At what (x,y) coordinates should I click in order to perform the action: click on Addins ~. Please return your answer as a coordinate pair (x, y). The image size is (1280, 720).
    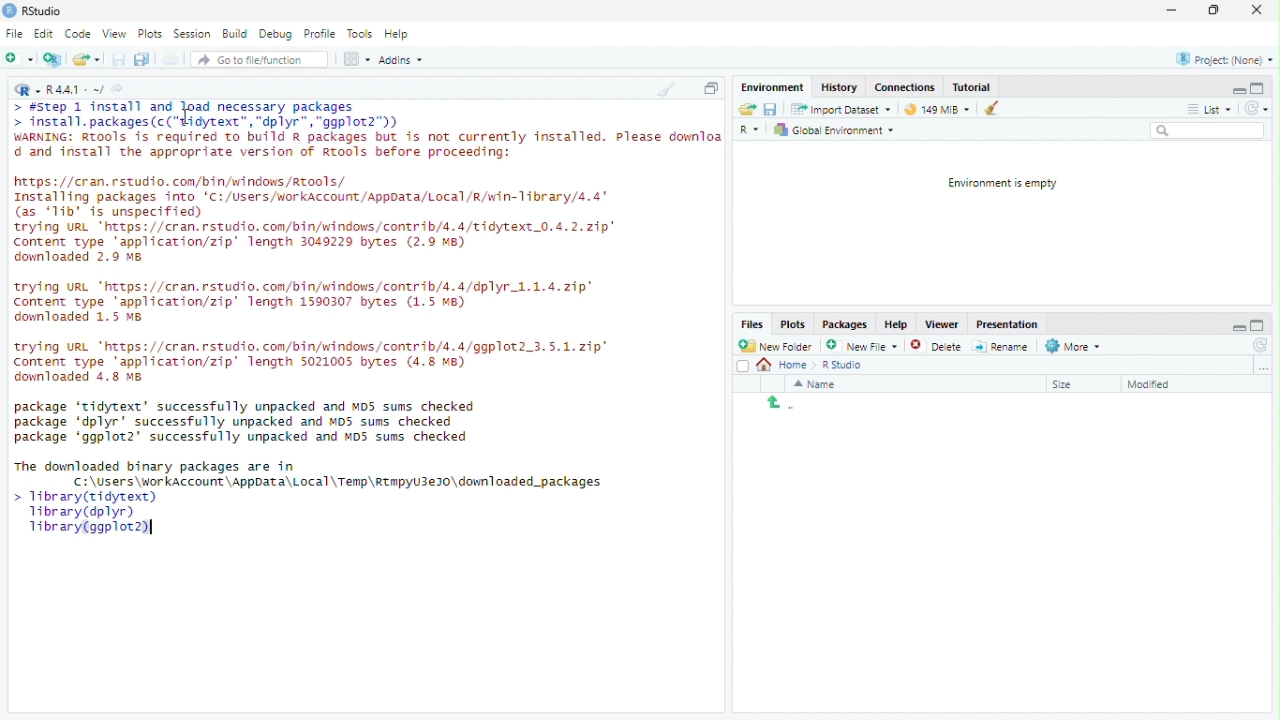
    Looking at the image, I should click on (400, 59).